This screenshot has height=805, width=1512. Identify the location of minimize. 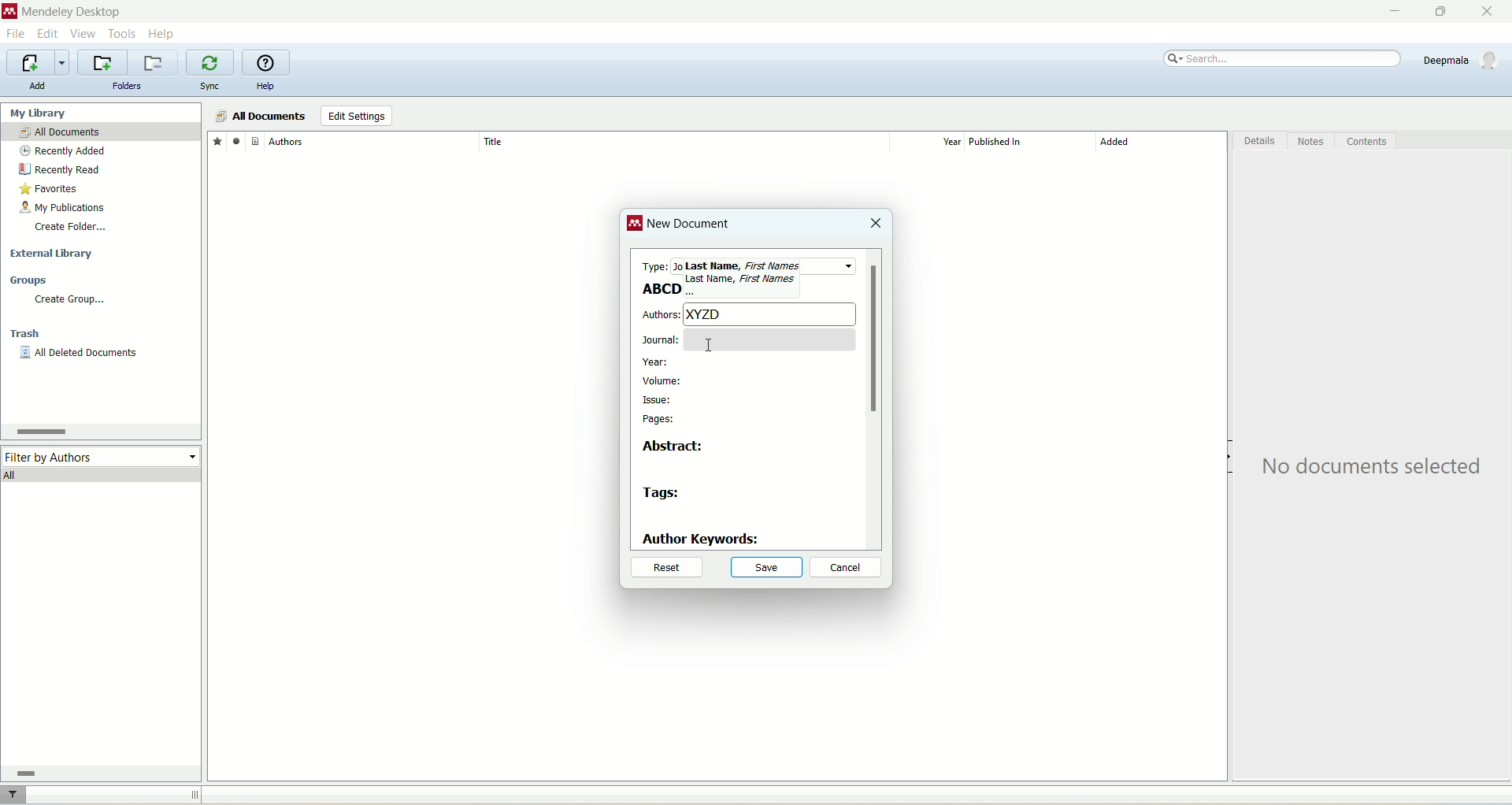
(1392, 12).